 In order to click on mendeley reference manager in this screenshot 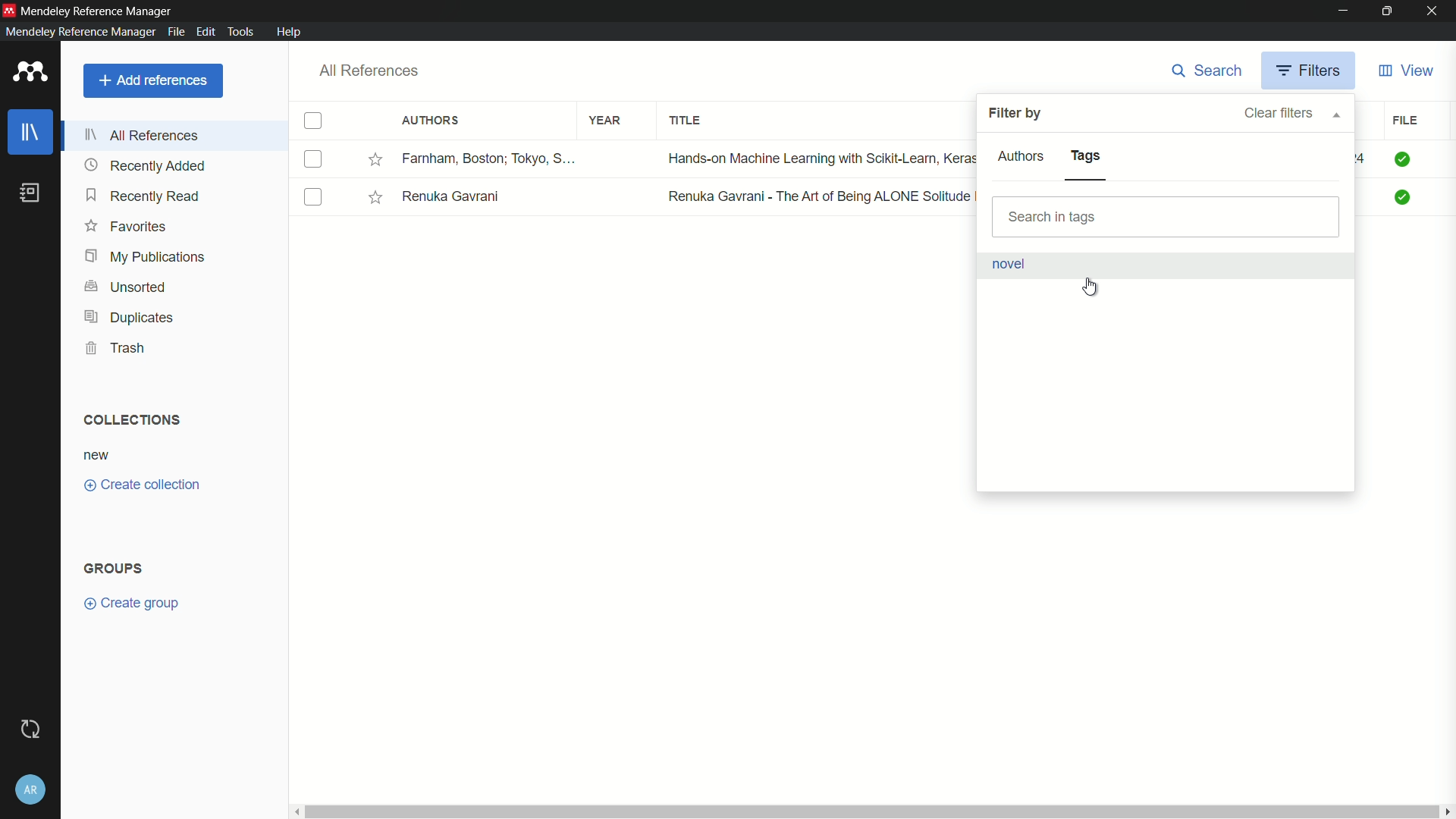, I will do `click(97, 12)`.